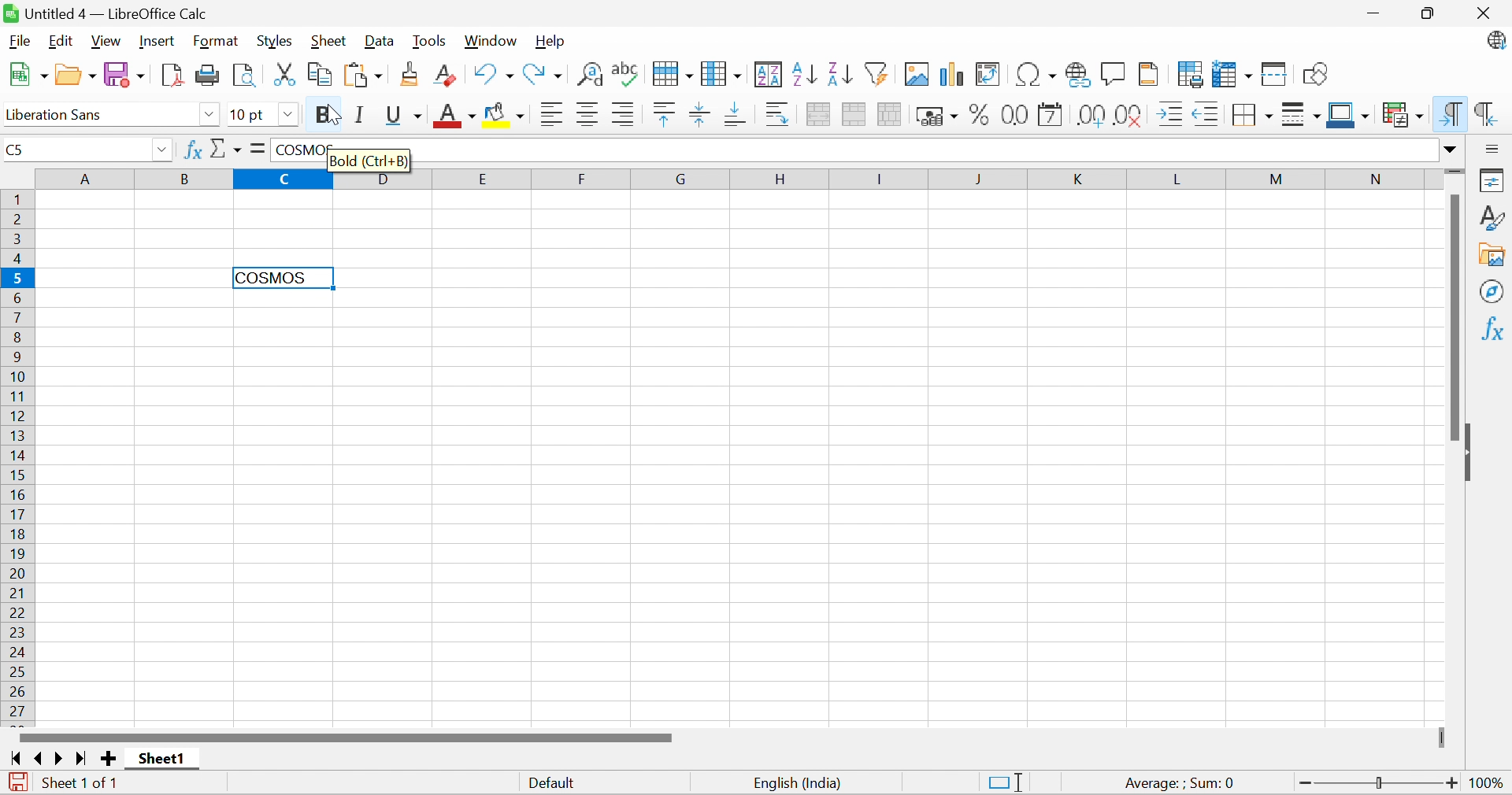 Image resolution: width=1512 pixels, height=795 pixels. What do you see at coordinates (1444, 737) in the screenshot?
I see `Slider` at bounding box center [1444, 737].